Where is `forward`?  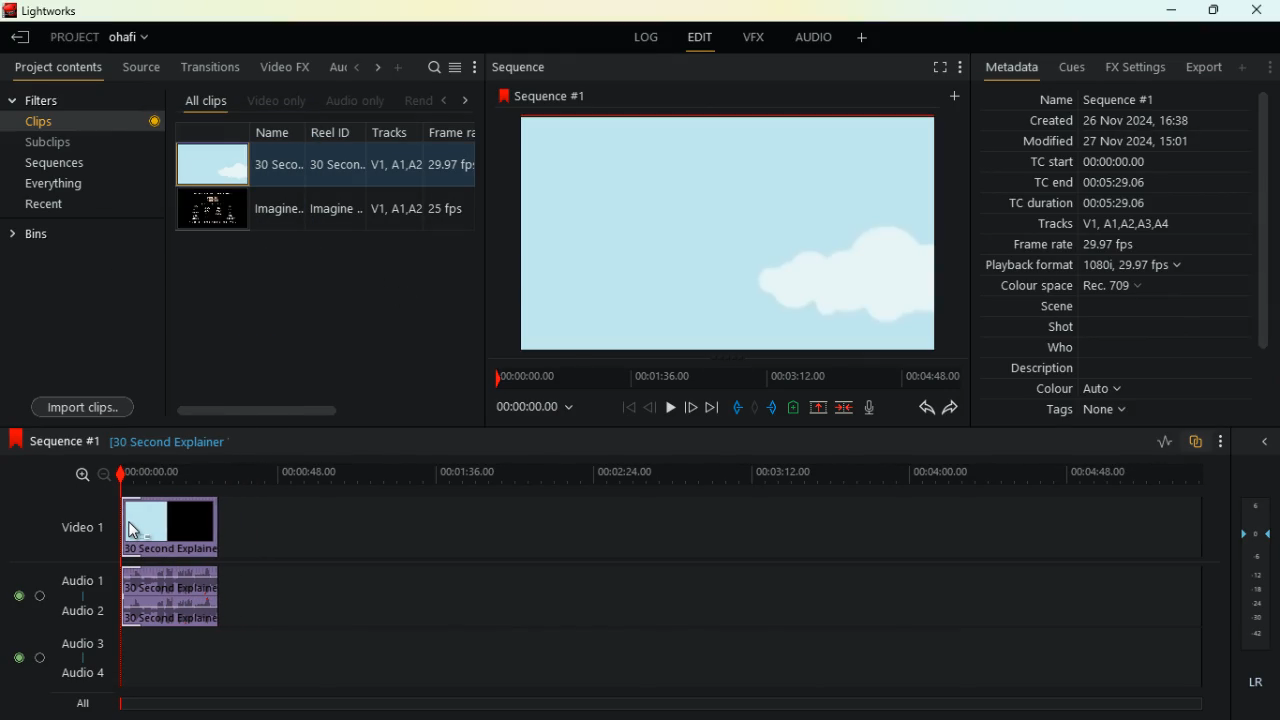
forward is located at coordinates (691, 406).